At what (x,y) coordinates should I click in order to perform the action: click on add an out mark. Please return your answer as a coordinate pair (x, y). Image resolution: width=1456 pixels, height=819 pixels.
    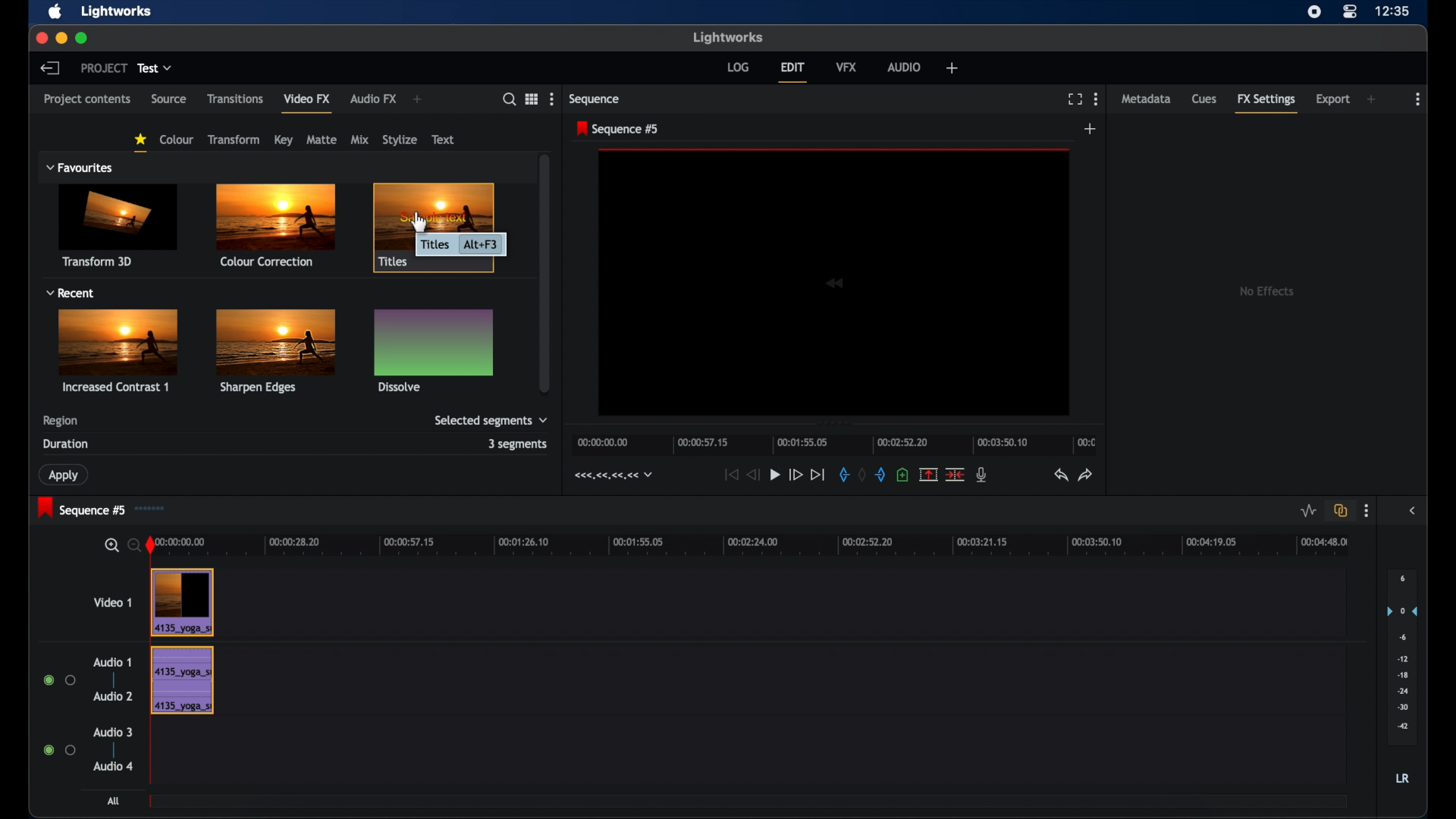
    Looking at the image, I should click on (880, 475).